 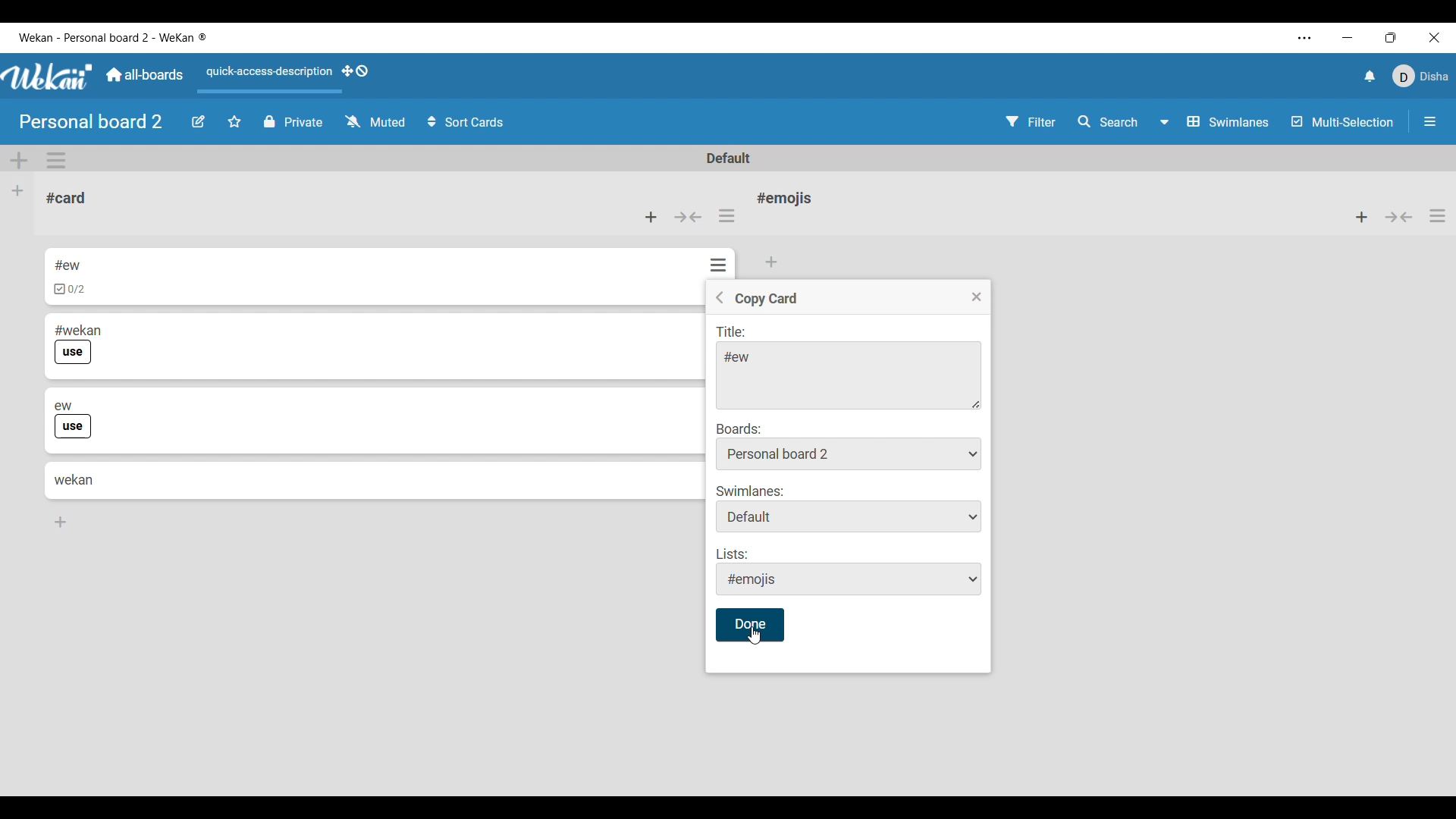 I want to click on Add item to top of list, so click(x=1362, y=217).